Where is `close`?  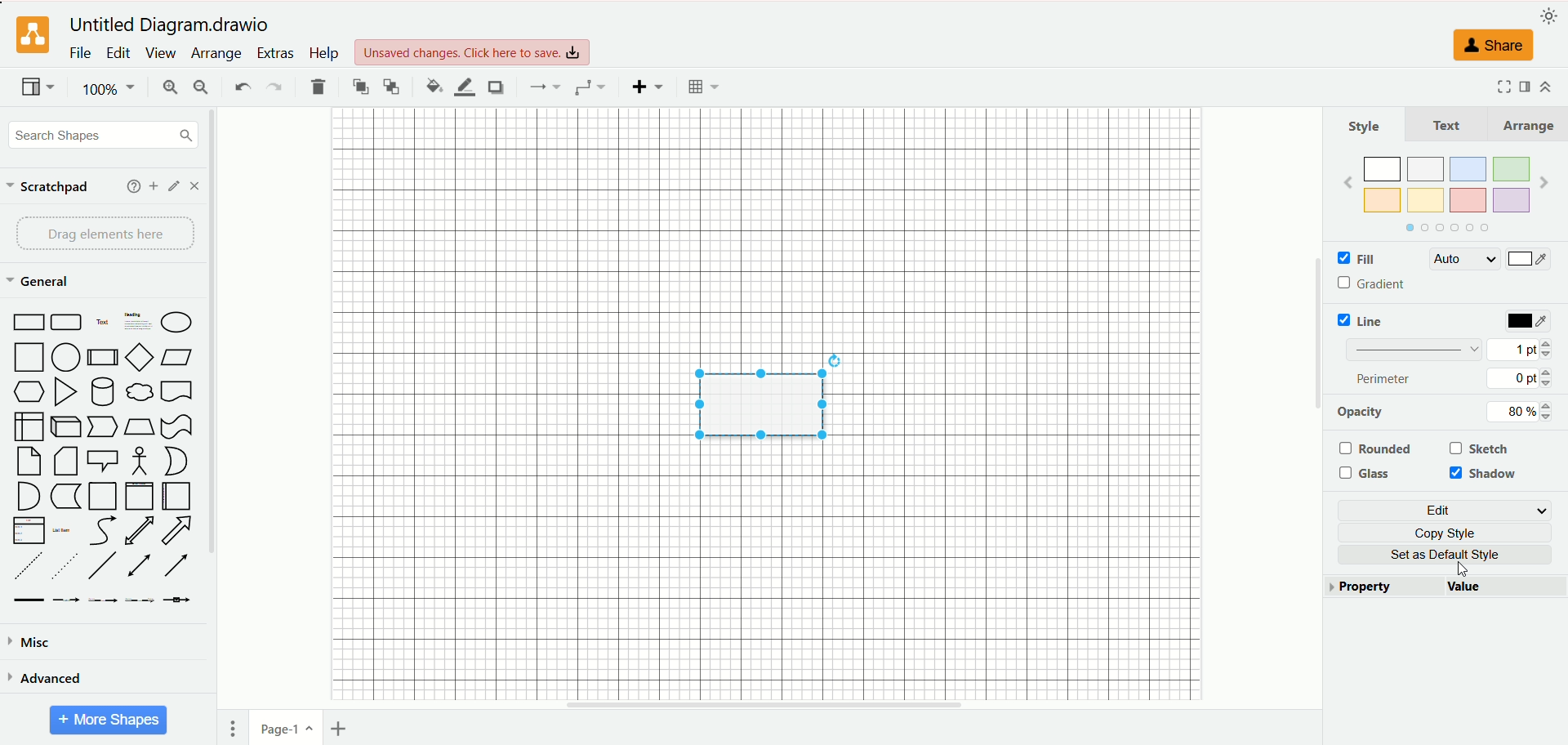
close is located at coordinates (194, 186).